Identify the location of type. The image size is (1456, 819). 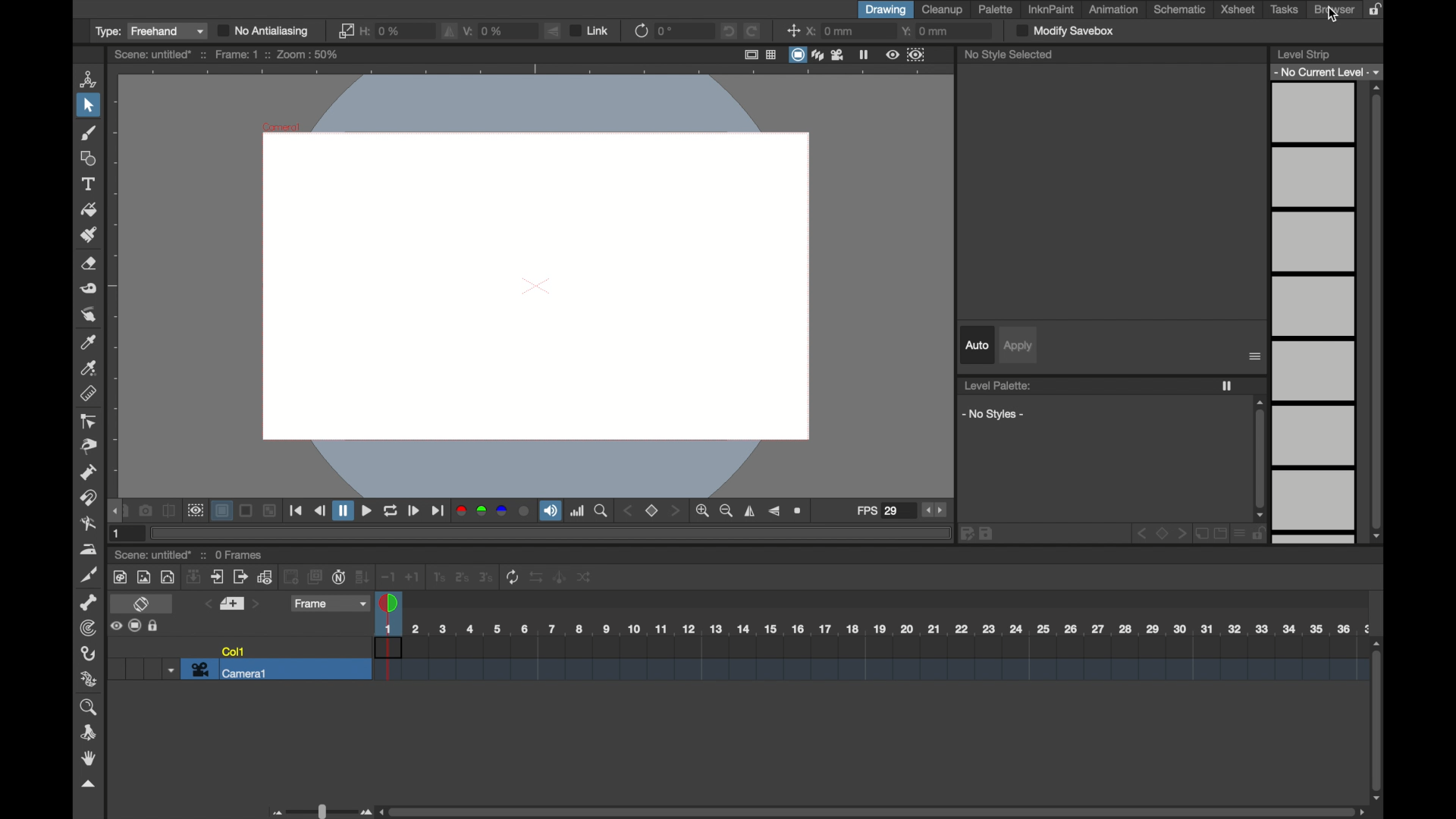
(108, 31).